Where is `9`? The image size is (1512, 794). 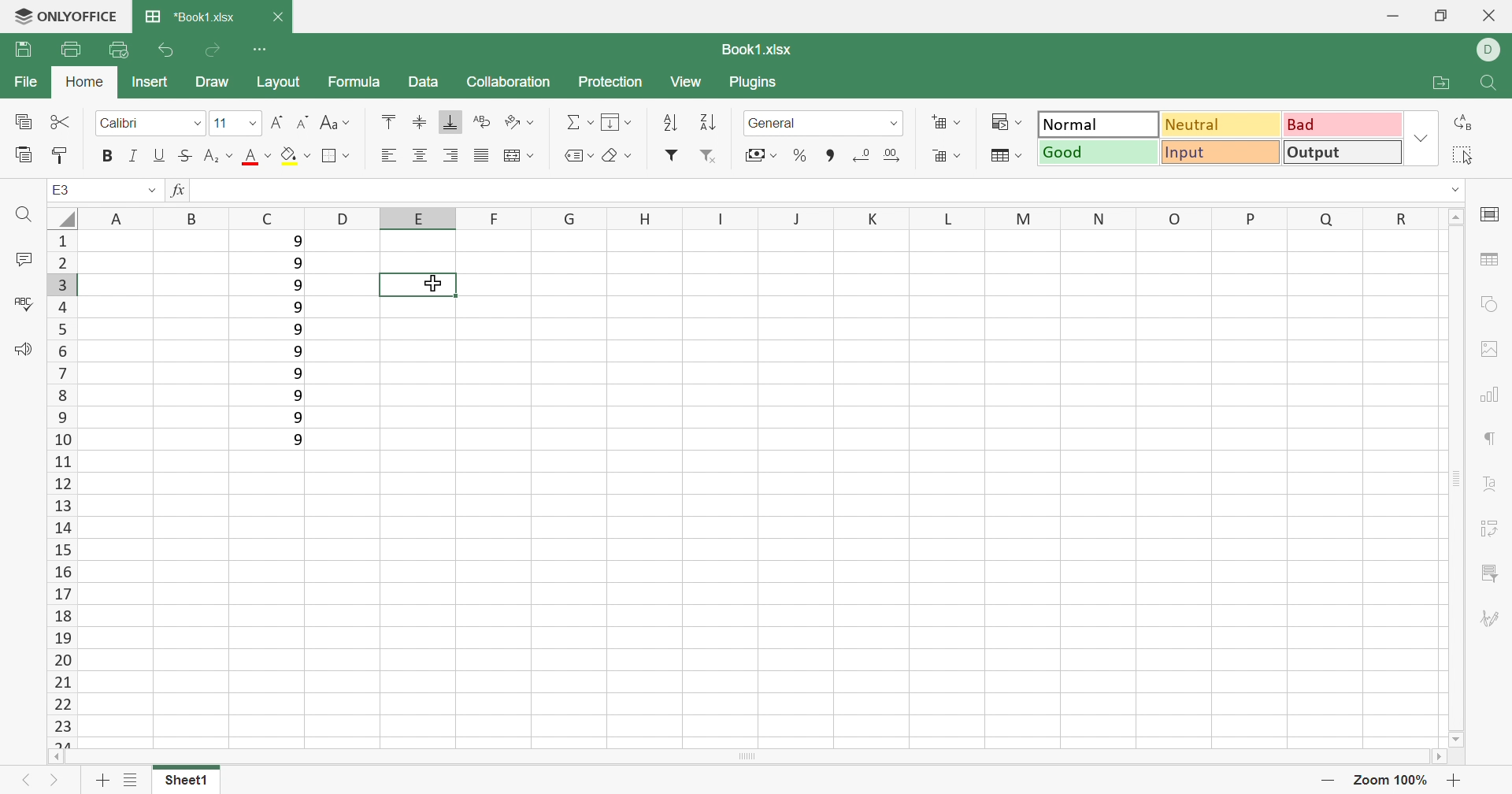
9 is located at coordinates (297, 328).